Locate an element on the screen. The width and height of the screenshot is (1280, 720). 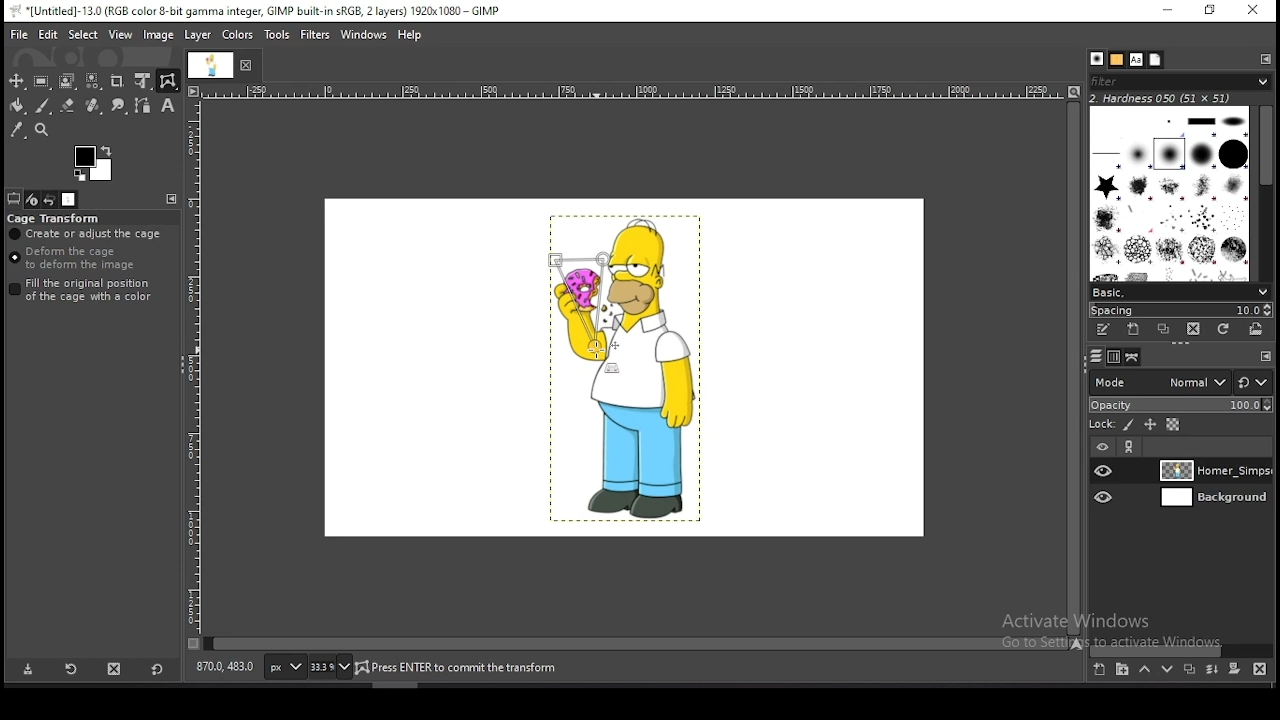
colors is located at coordinates (237, 35).